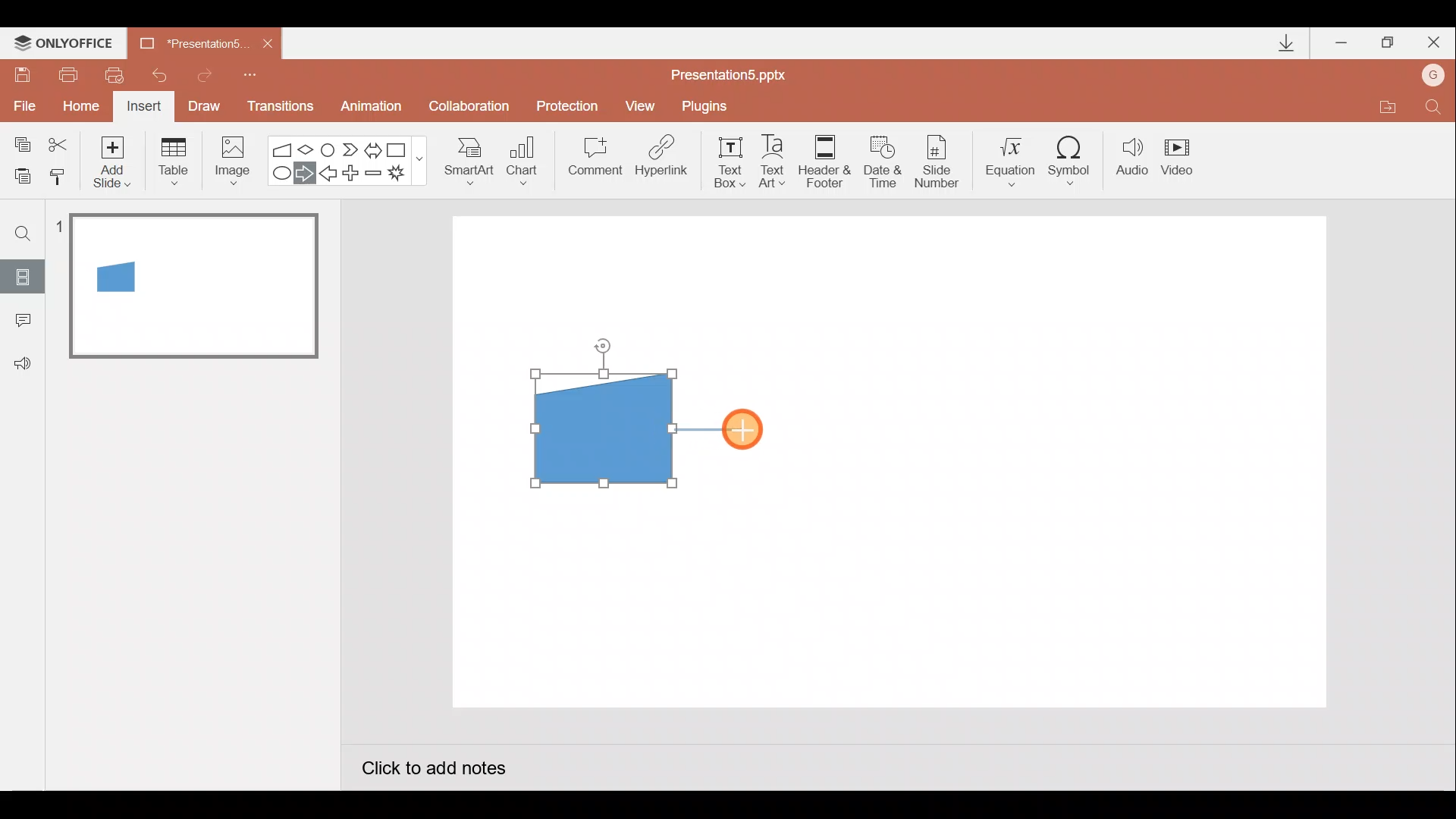  I want to click on Rectangle, so click(400, 149).